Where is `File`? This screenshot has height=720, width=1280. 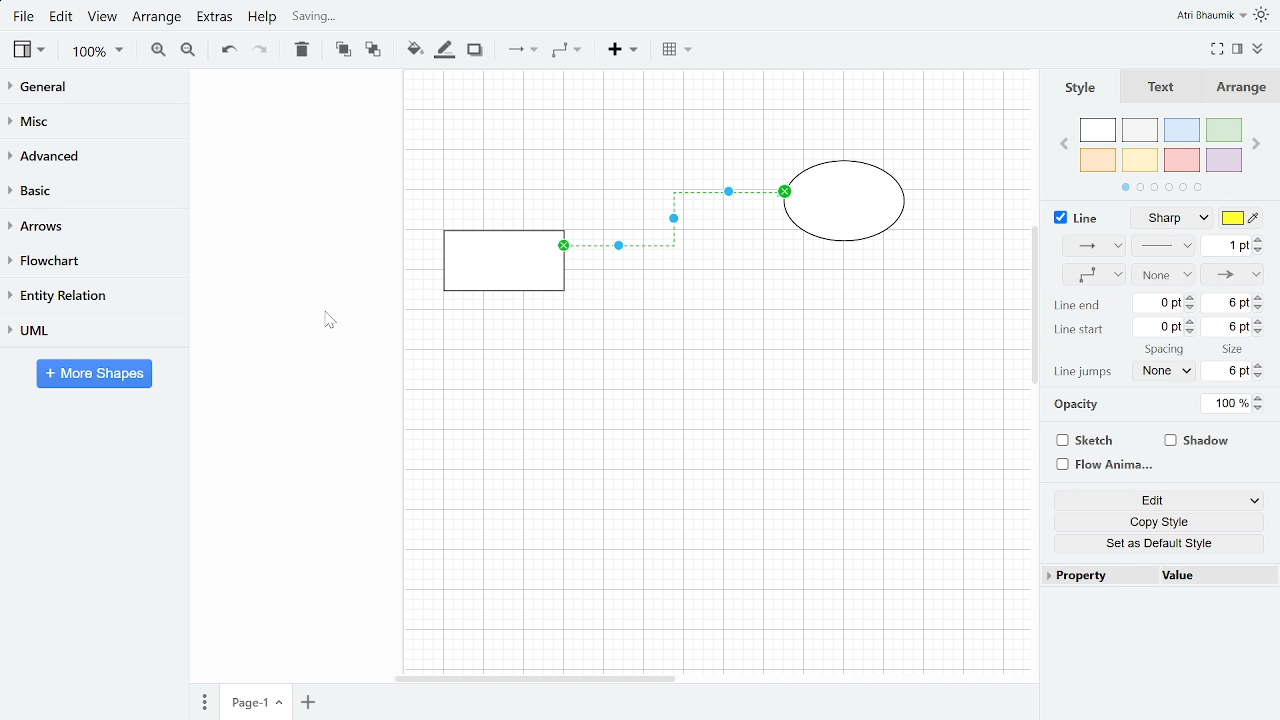 File is located at coordinates (22, 17).